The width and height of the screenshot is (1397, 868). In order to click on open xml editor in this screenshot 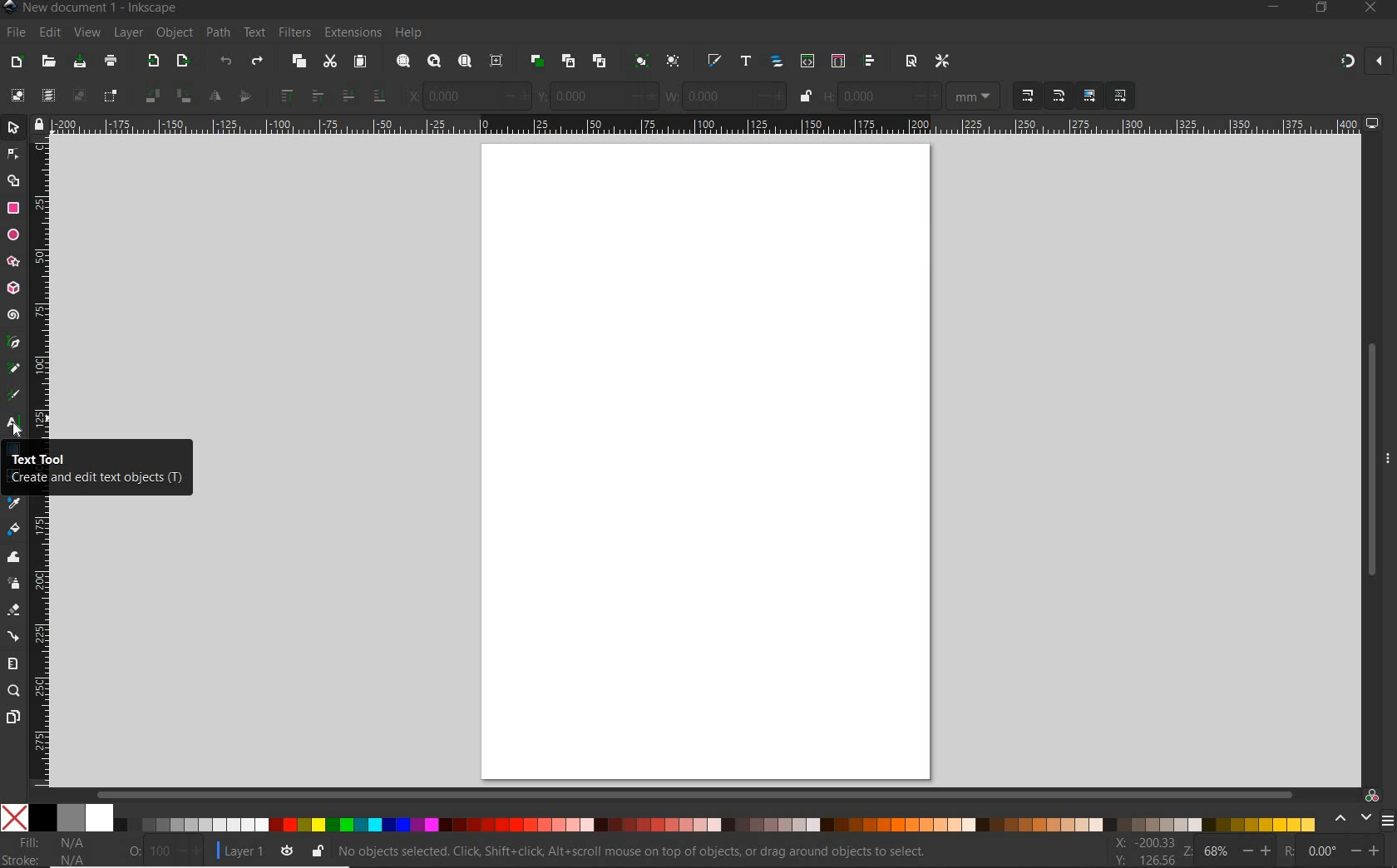, I will do `click(806, 61)`.